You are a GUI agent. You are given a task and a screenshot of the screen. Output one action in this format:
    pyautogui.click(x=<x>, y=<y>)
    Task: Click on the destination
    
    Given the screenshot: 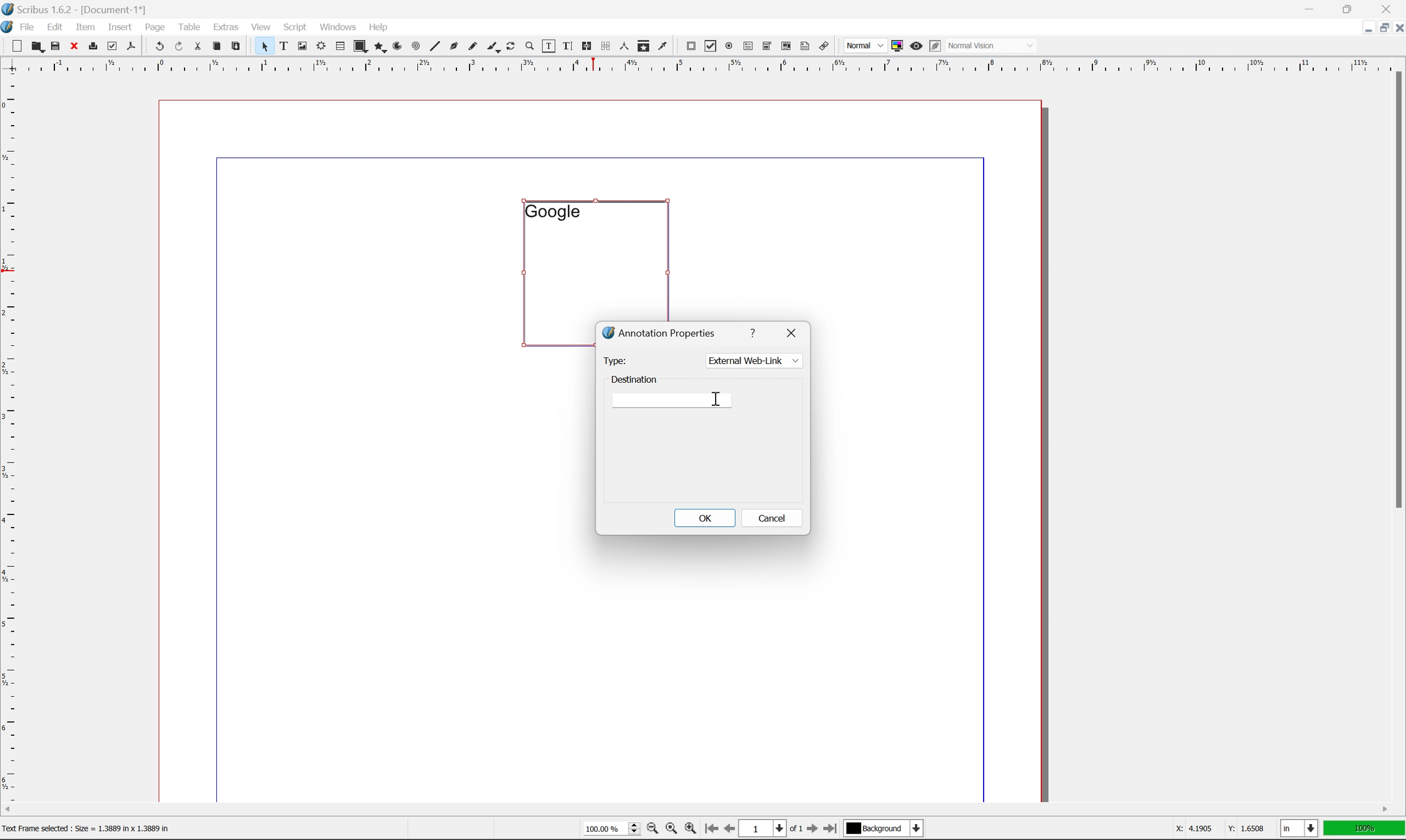 What is the action you would take?
    pyautogui.click(x=635, y=378)
    